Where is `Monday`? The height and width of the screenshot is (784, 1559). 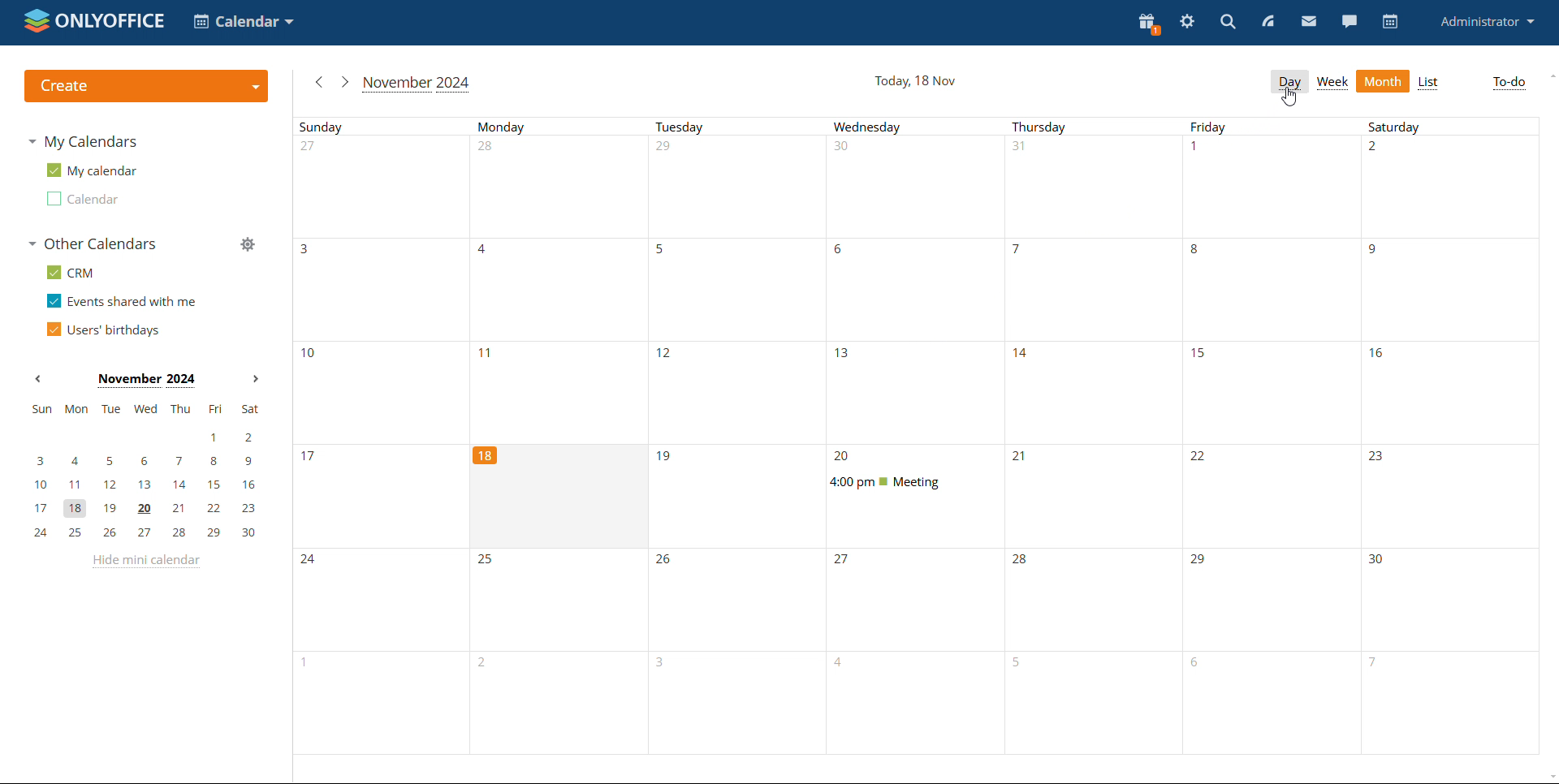 Monday is located at coordinates (562, 652).